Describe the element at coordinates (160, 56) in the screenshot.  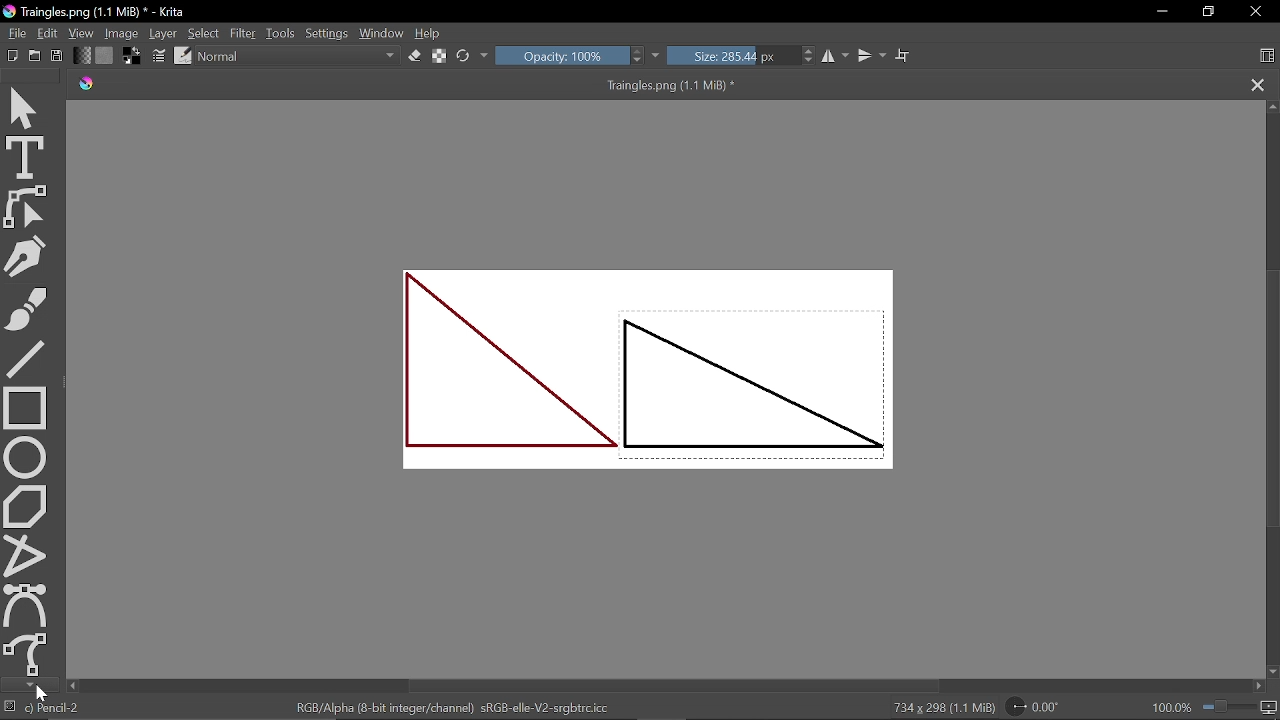
I see `Edit brush settings` at that location.